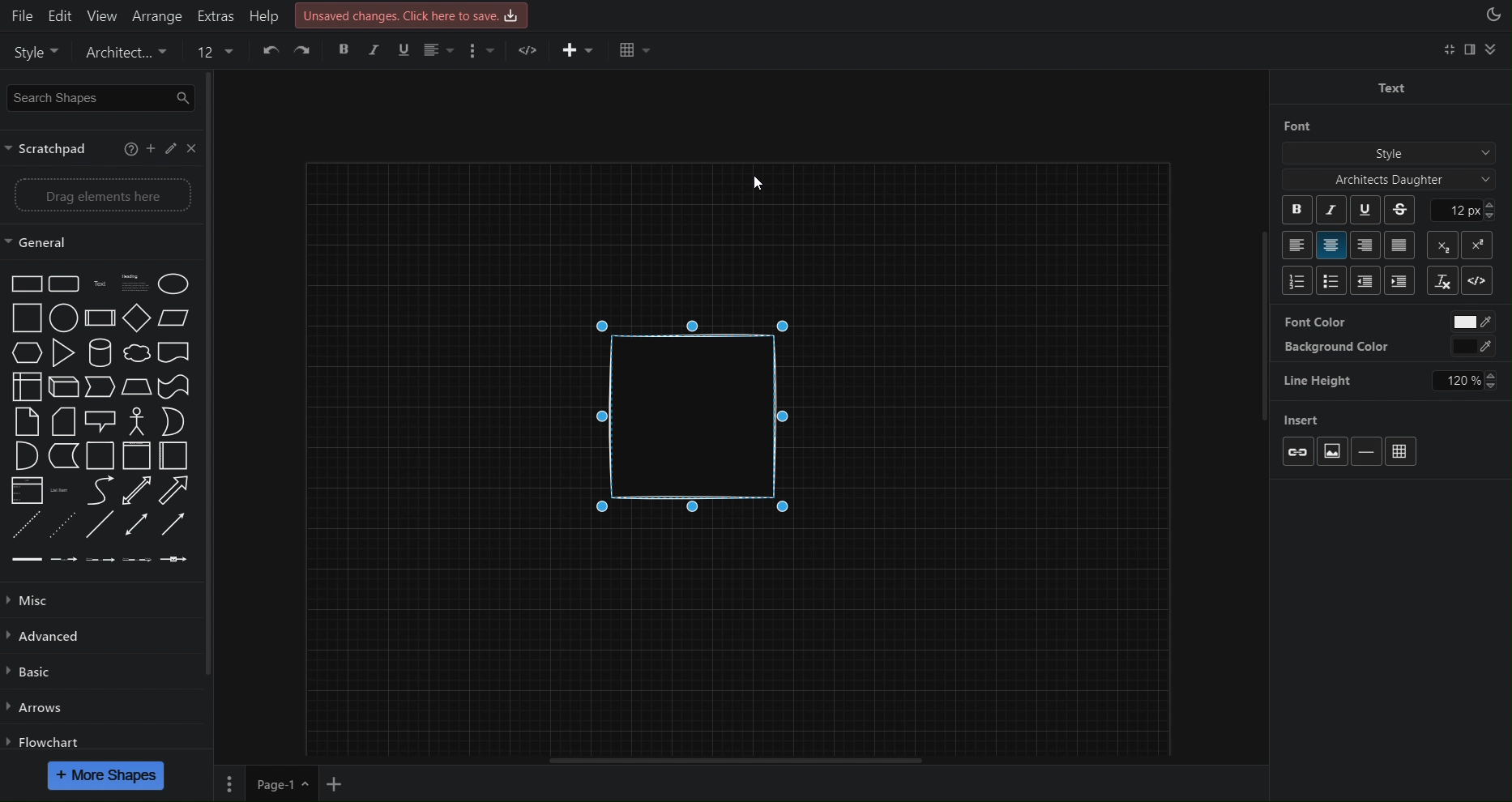  What do you see at coordinates (578, 53) in the screenshot?
I see `Waypoint` at bounding box center [578, 53].